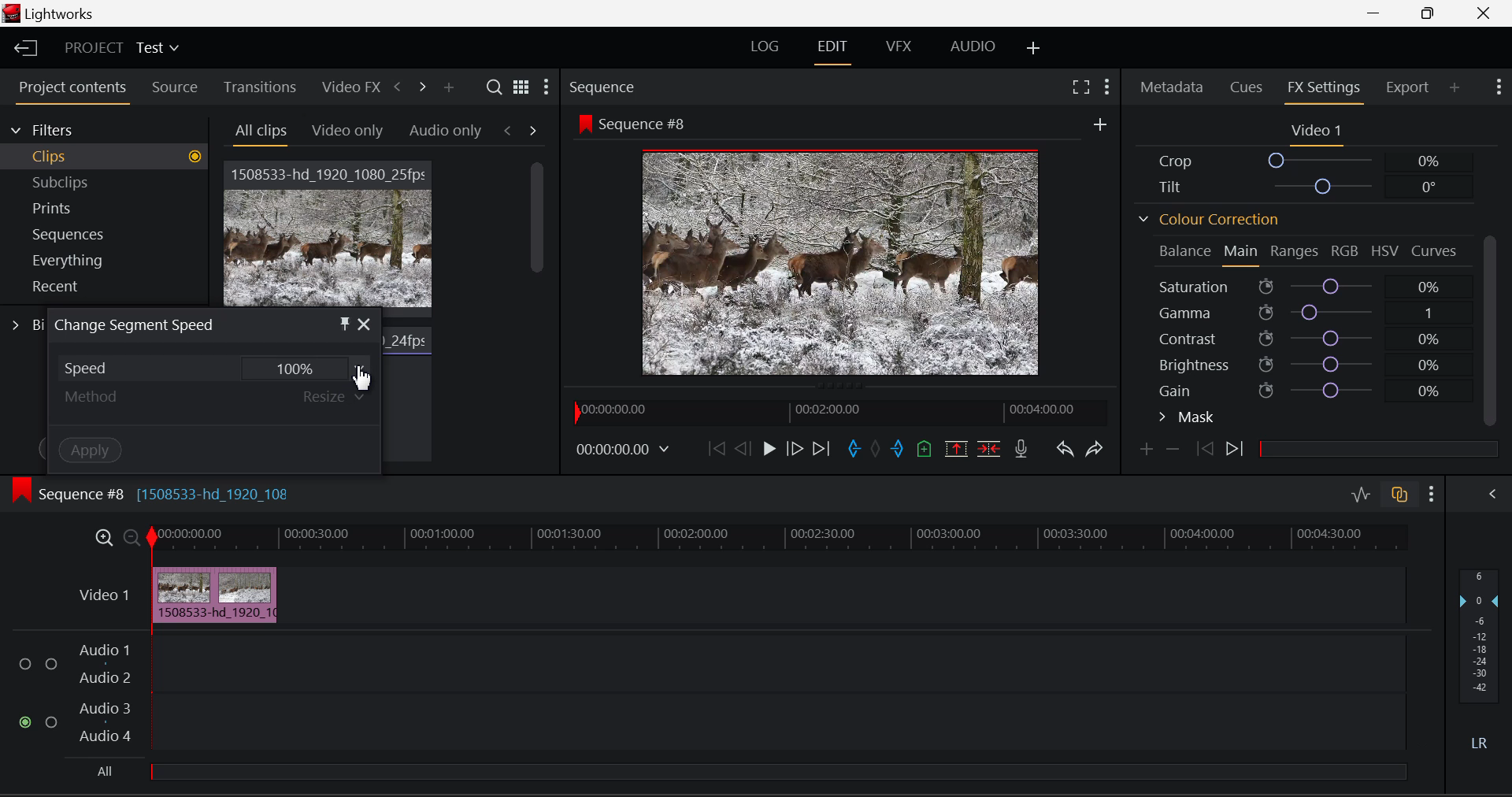 This screenshot has height=797, width=1512. Describe the element at coordinates (217, 495) in the screenshot. I see `[1508533-hd_1920_108` at that location.